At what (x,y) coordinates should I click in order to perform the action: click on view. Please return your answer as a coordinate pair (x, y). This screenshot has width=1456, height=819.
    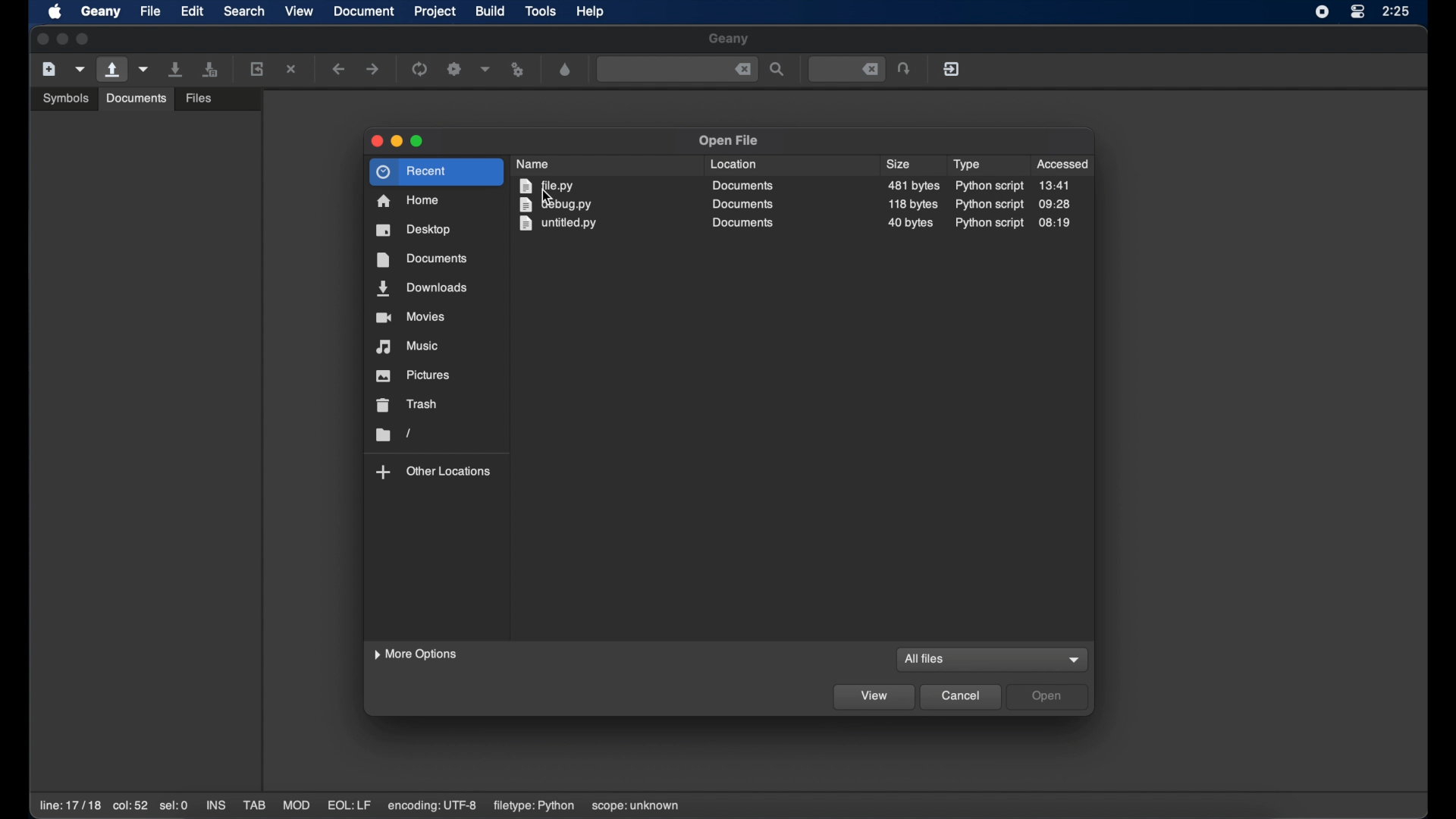
    Looking at the image, I should click on (874, 696).